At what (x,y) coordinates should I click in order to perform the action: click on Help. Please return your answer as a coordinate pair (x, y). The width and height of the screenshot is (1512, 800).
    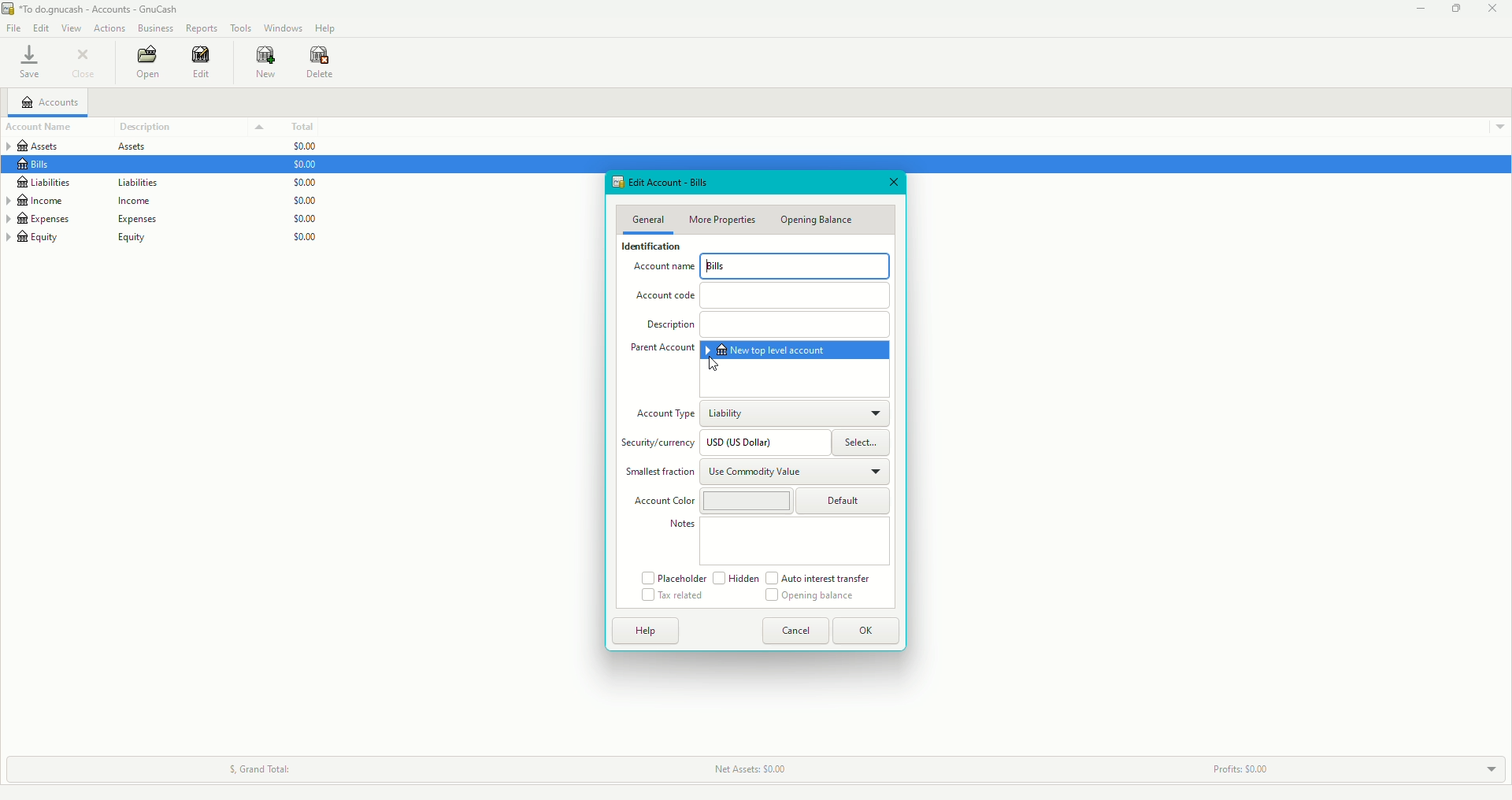
    Looking at the image, I should click on (326, 29).